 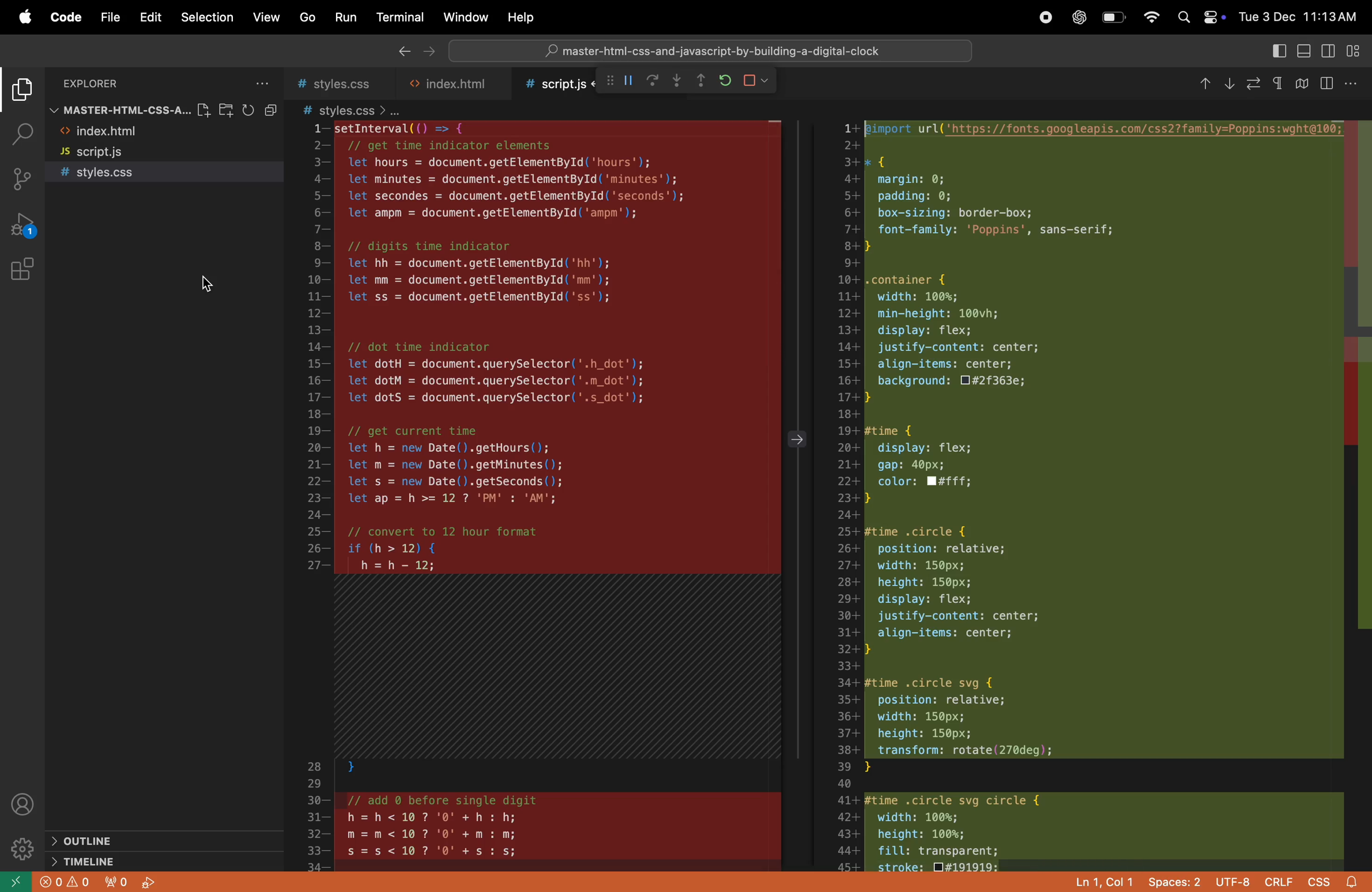 What do you see at coordinates (721, 81) in the screenshot?
I see `refresh` at bounding box center [721, 81].